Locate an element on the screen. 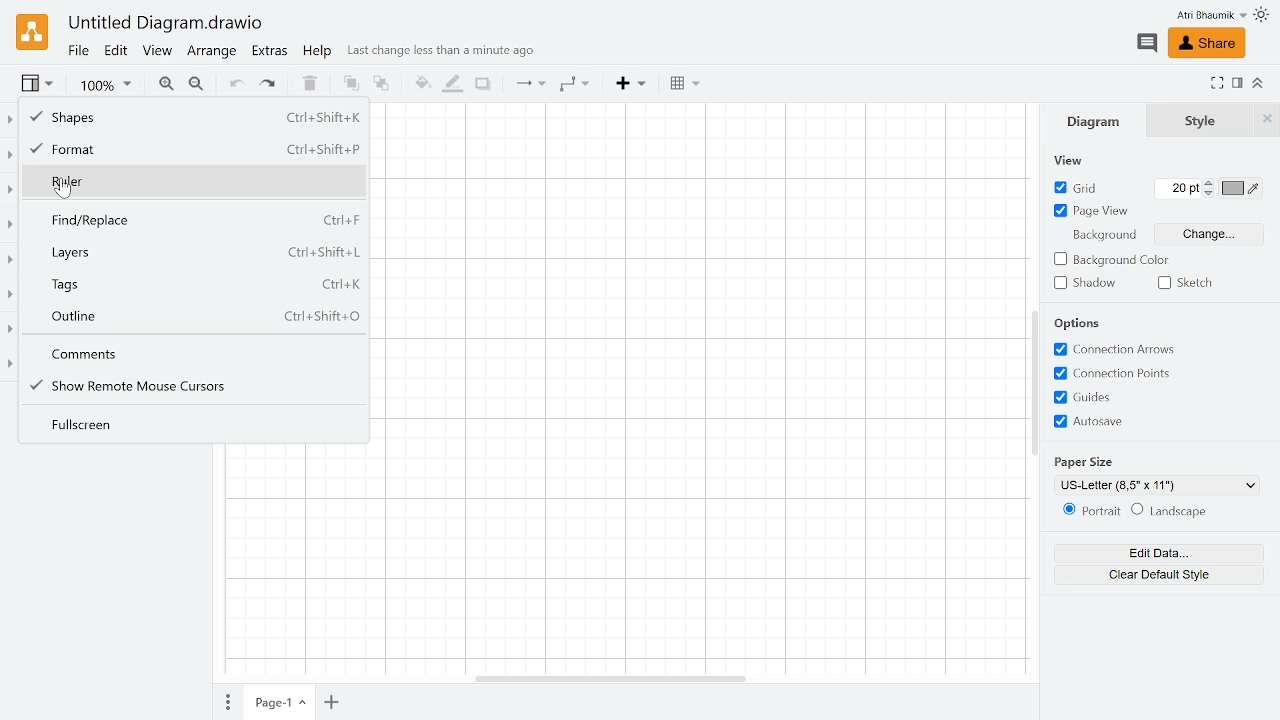 The image size is (1280, 720). view is located at coordinates (1066, 161).